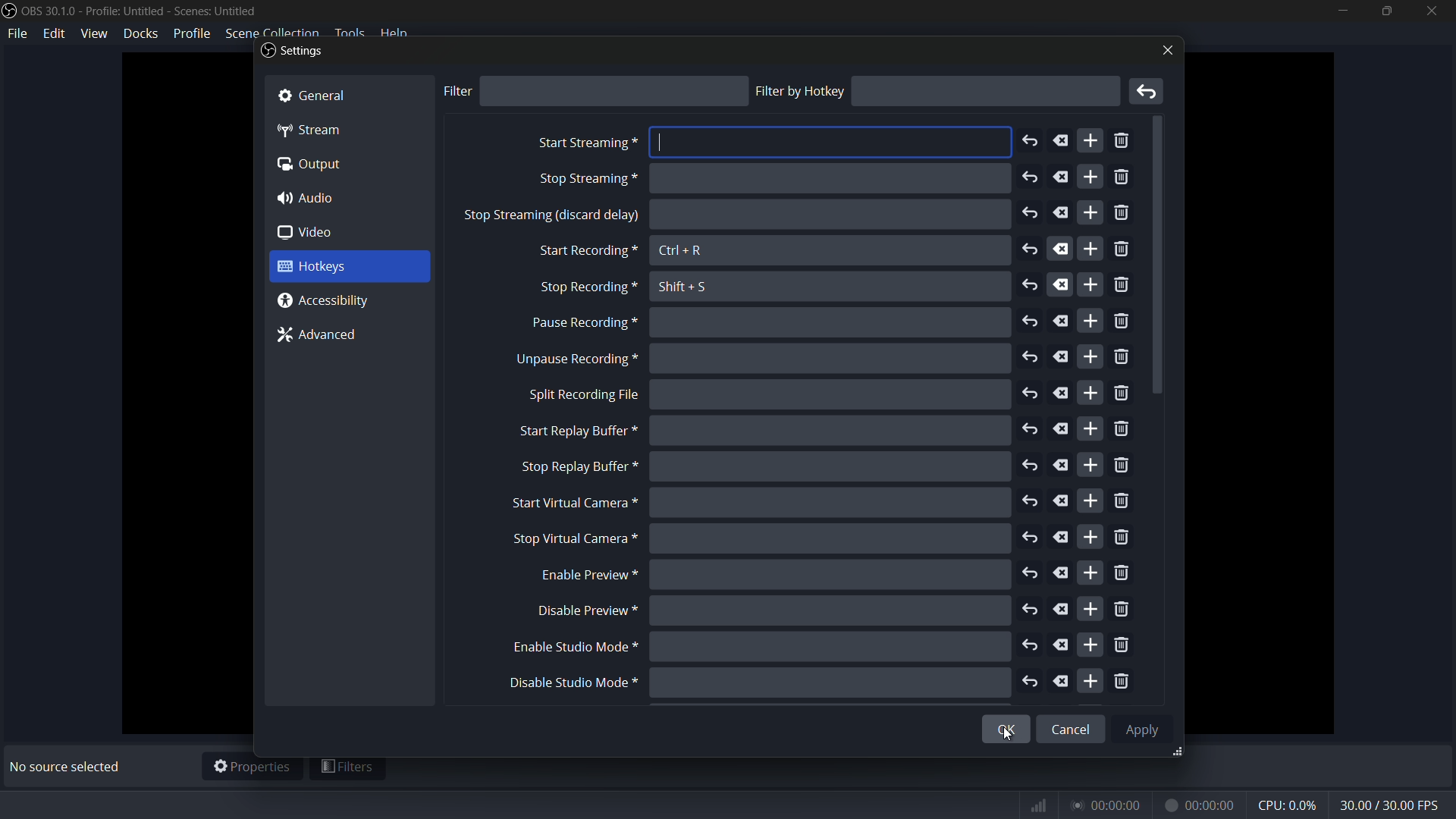 This screenshot has height=819, width=1456. Describe the element at coordinates (94, 33) in the screenshot. I see `view menu` at that location.